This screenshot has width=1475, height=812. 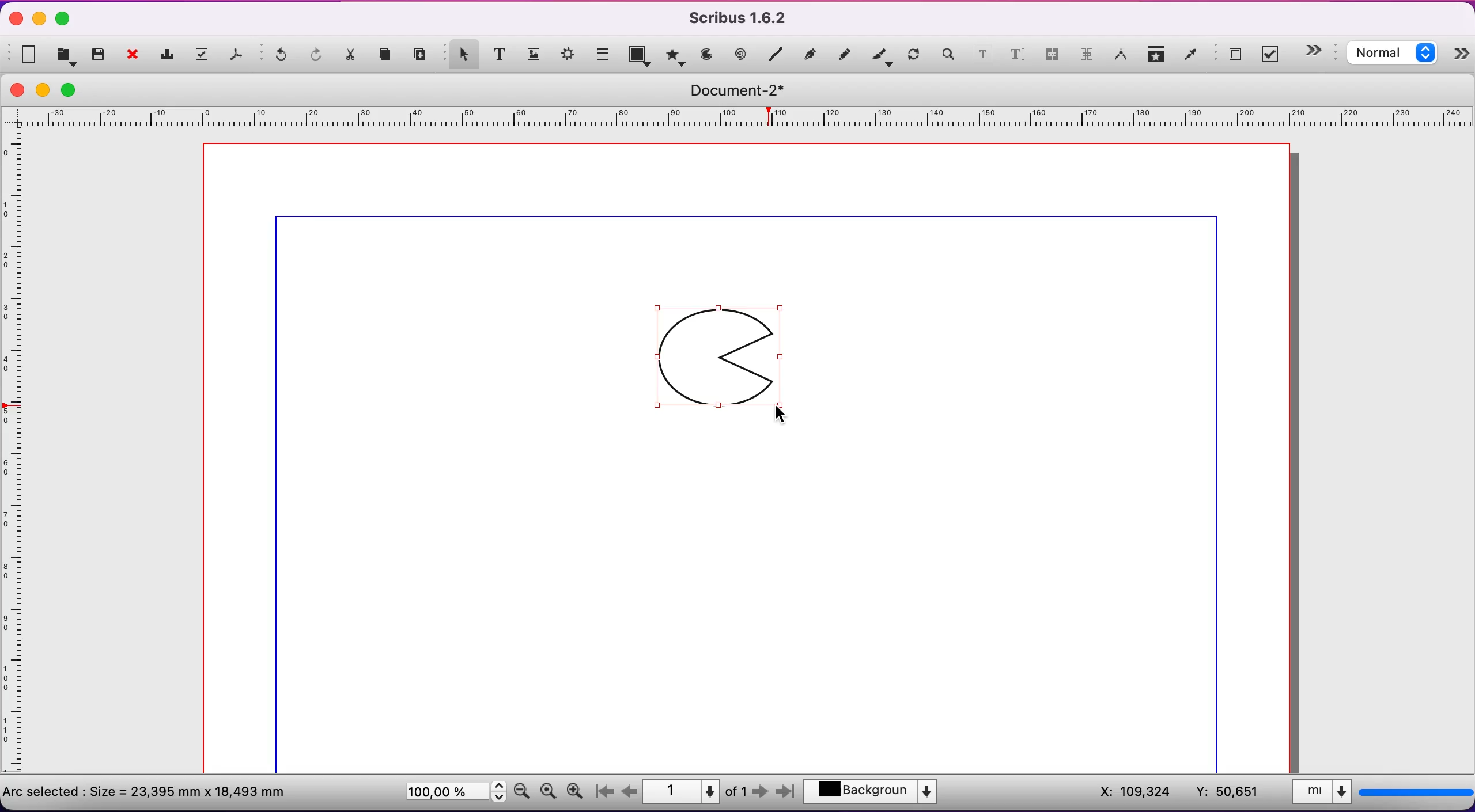 I want to click on zoom in or zoom out, so click(x=947, y=56).